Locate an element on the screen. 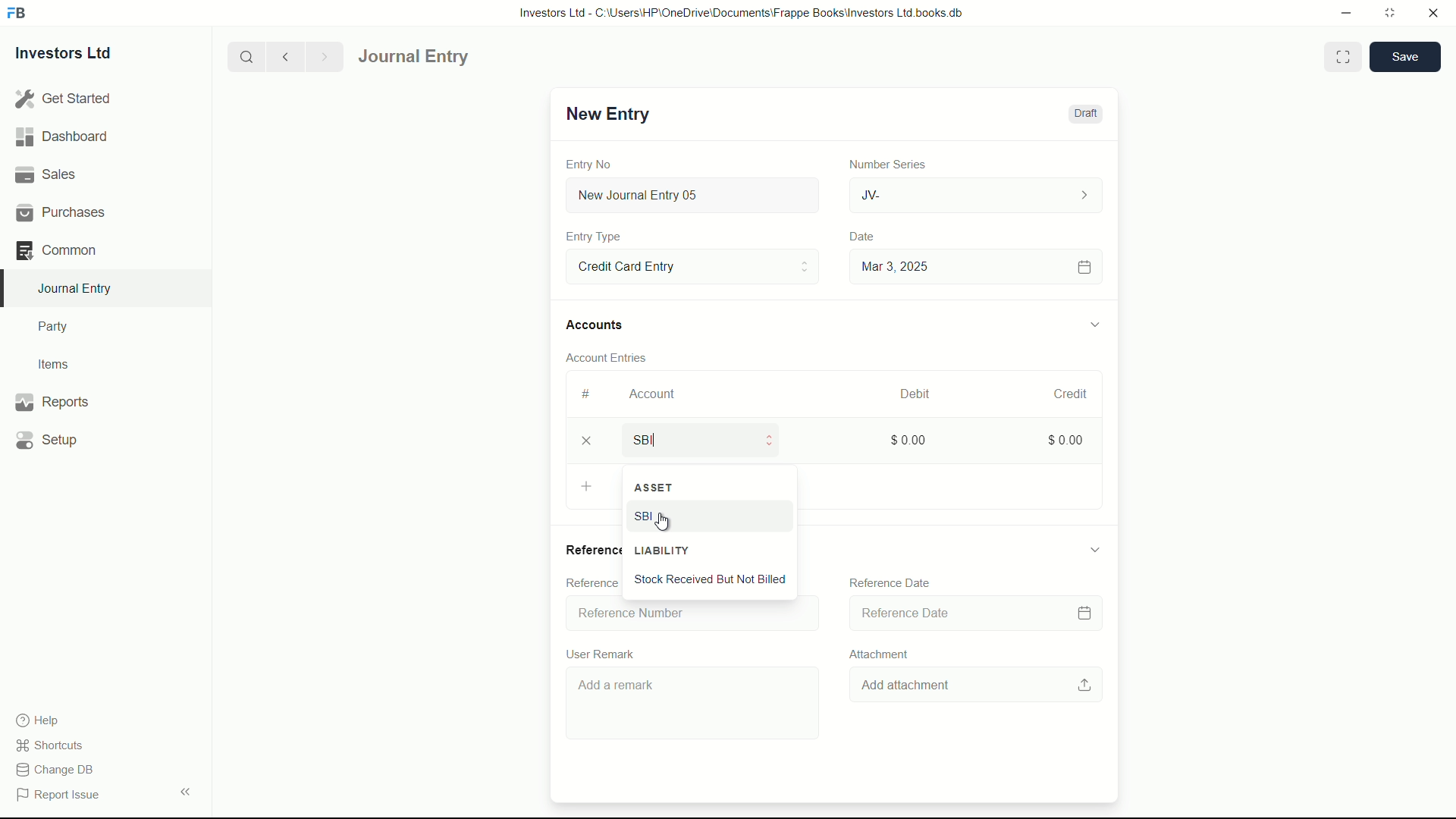 The width and height of the screenshot is (1456, 819). References is located at coordinates (591, 549).